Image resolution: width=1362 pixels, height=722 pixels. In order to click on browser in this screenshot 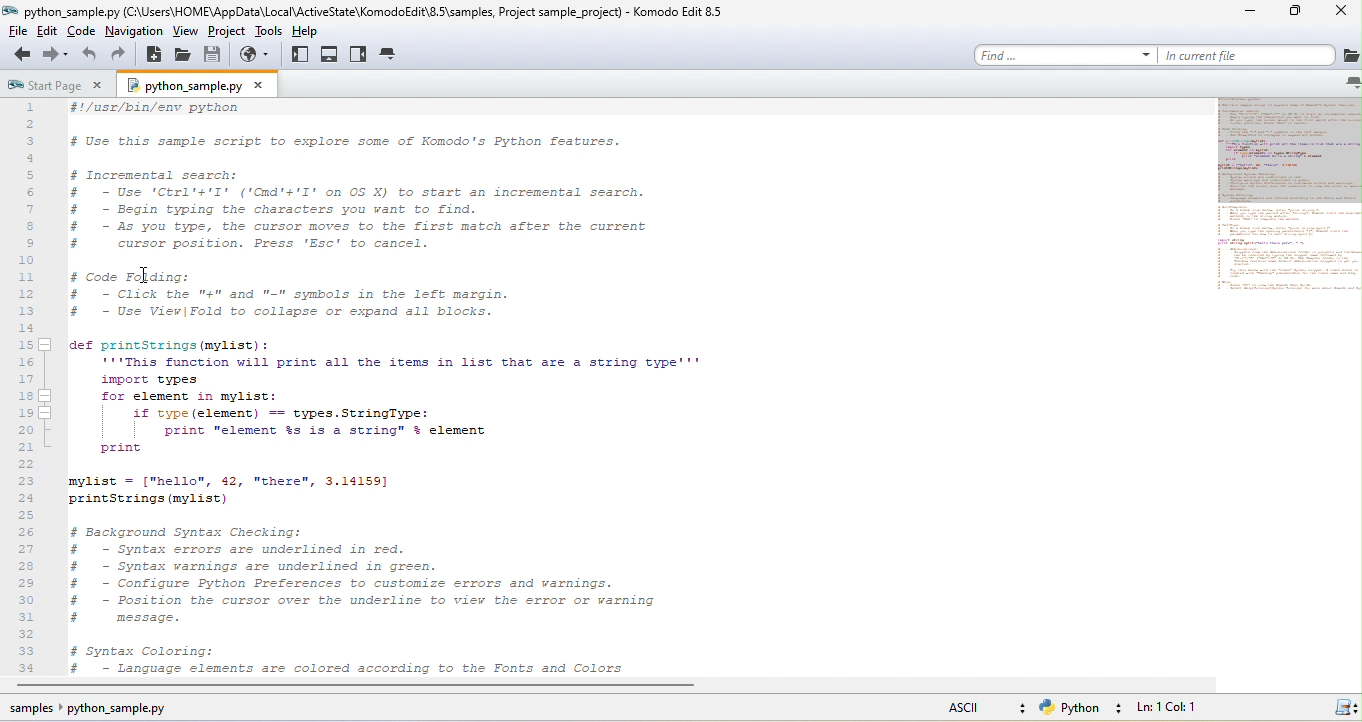, I will do `click(256, 59)`.